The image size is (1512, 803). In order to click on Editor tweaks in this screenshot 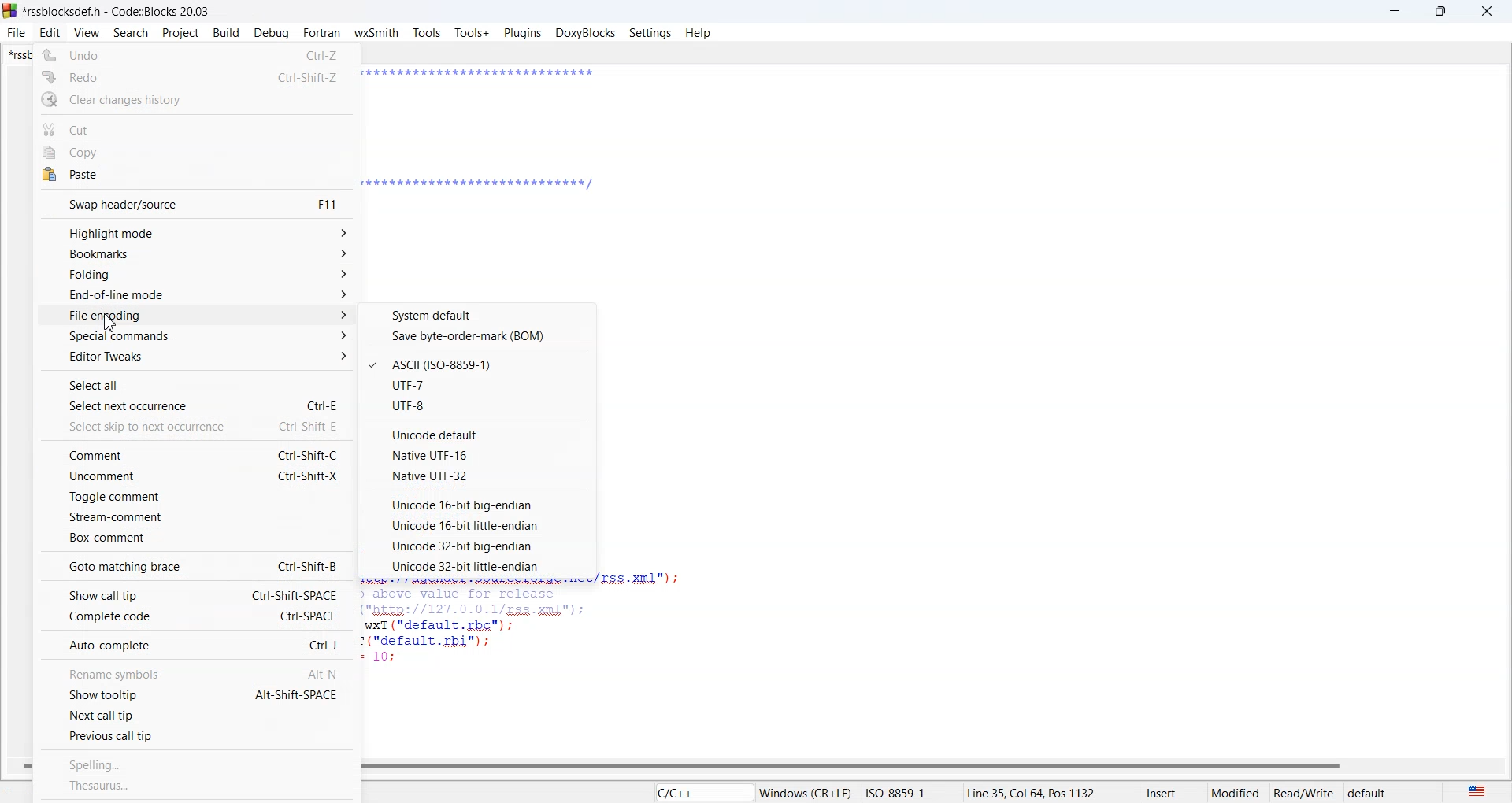, I will do `click(197, 356)`.